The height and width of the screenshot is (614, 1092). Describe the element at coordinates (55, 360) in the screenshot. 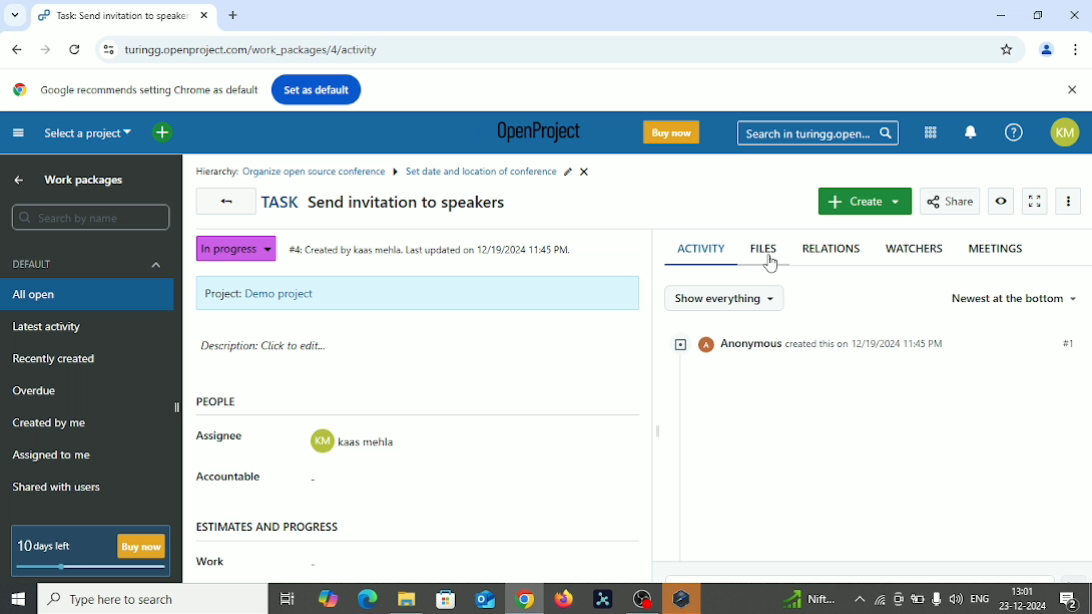

I see `Recently created` at that location.